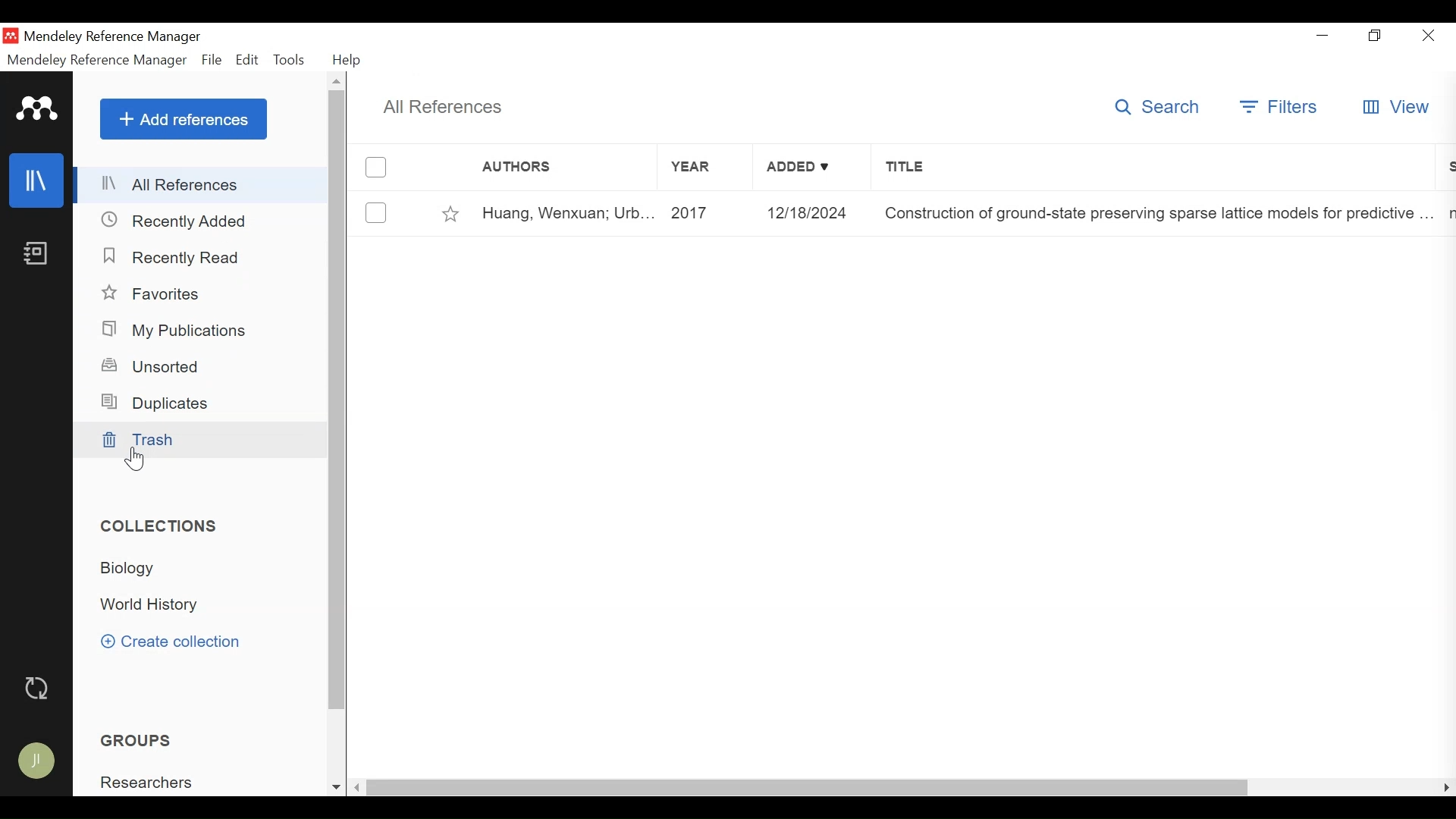 The height and width of the screenshot is (819, 1456). Describe the element at coordinates (162, 526) in the screenshot. I see `Collections` at that location.